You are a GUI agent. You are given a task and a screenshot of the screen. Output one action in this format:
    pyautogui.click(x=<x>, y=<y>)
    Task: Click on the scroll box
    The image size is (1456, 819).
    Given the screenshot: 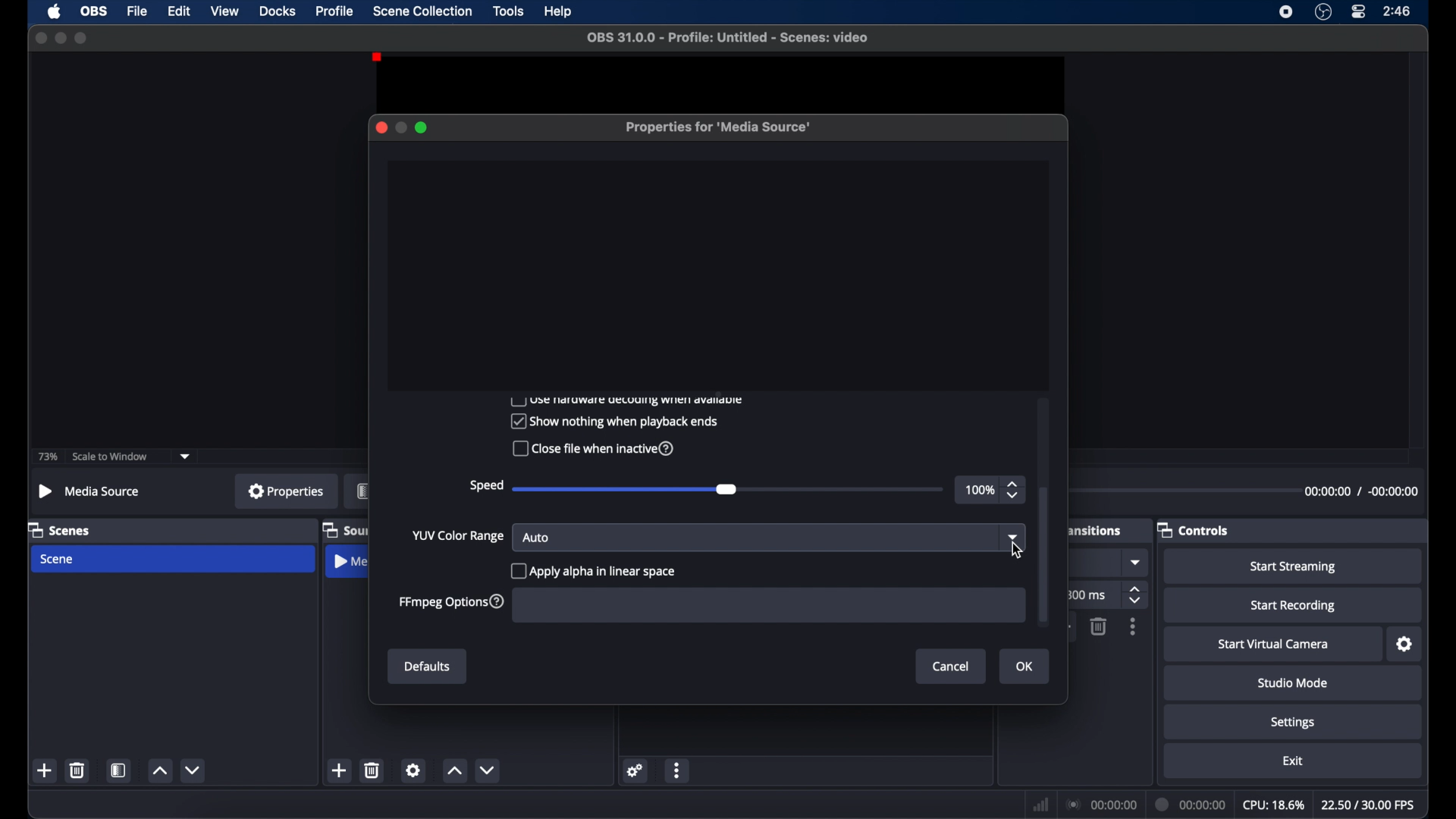 What is the action you would take?
    pyautogui.click(x=1043, y=554)
    